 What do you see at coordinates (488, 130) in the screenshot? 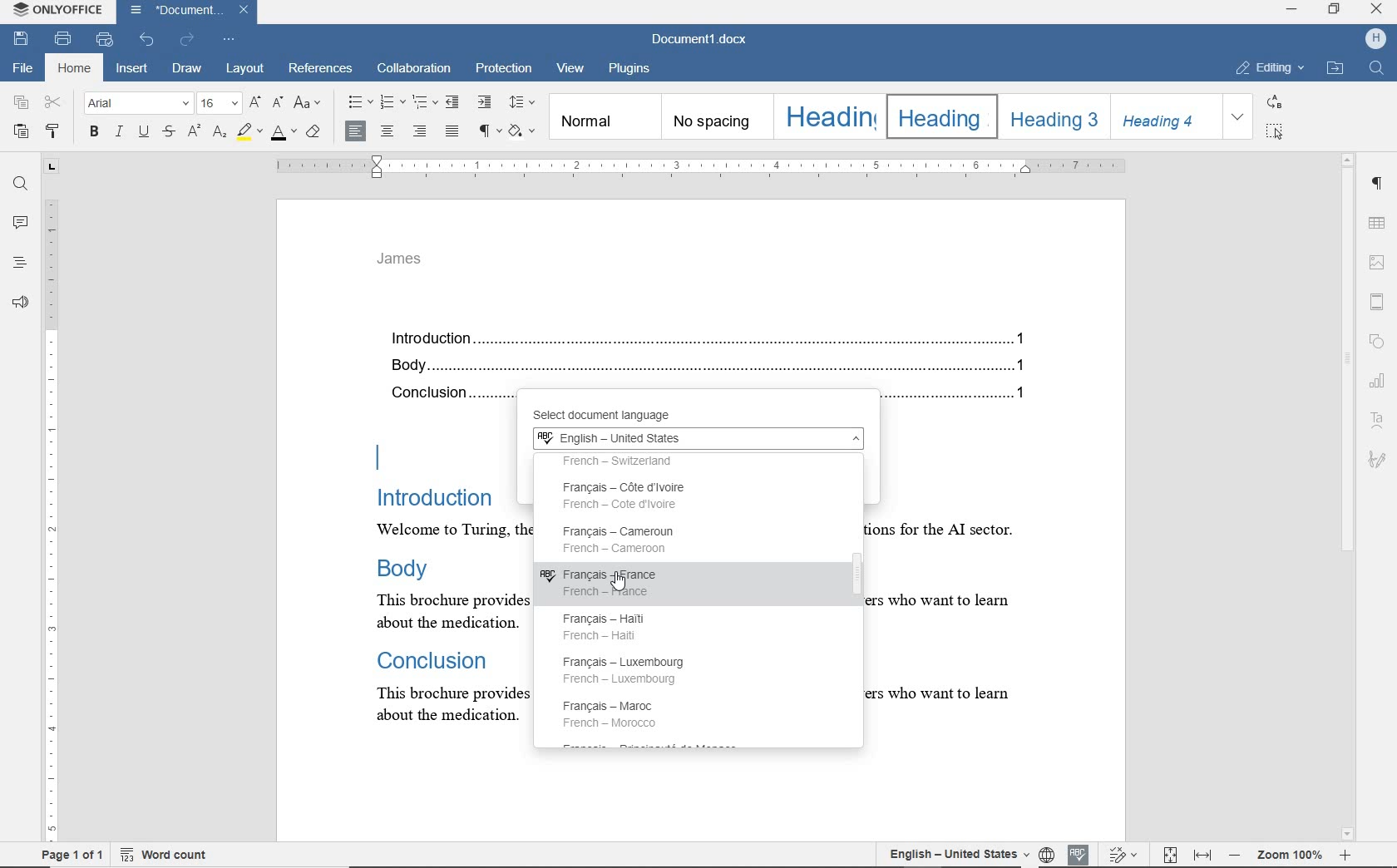
I see `nonprinting characters` at bounding box center [488, 130].